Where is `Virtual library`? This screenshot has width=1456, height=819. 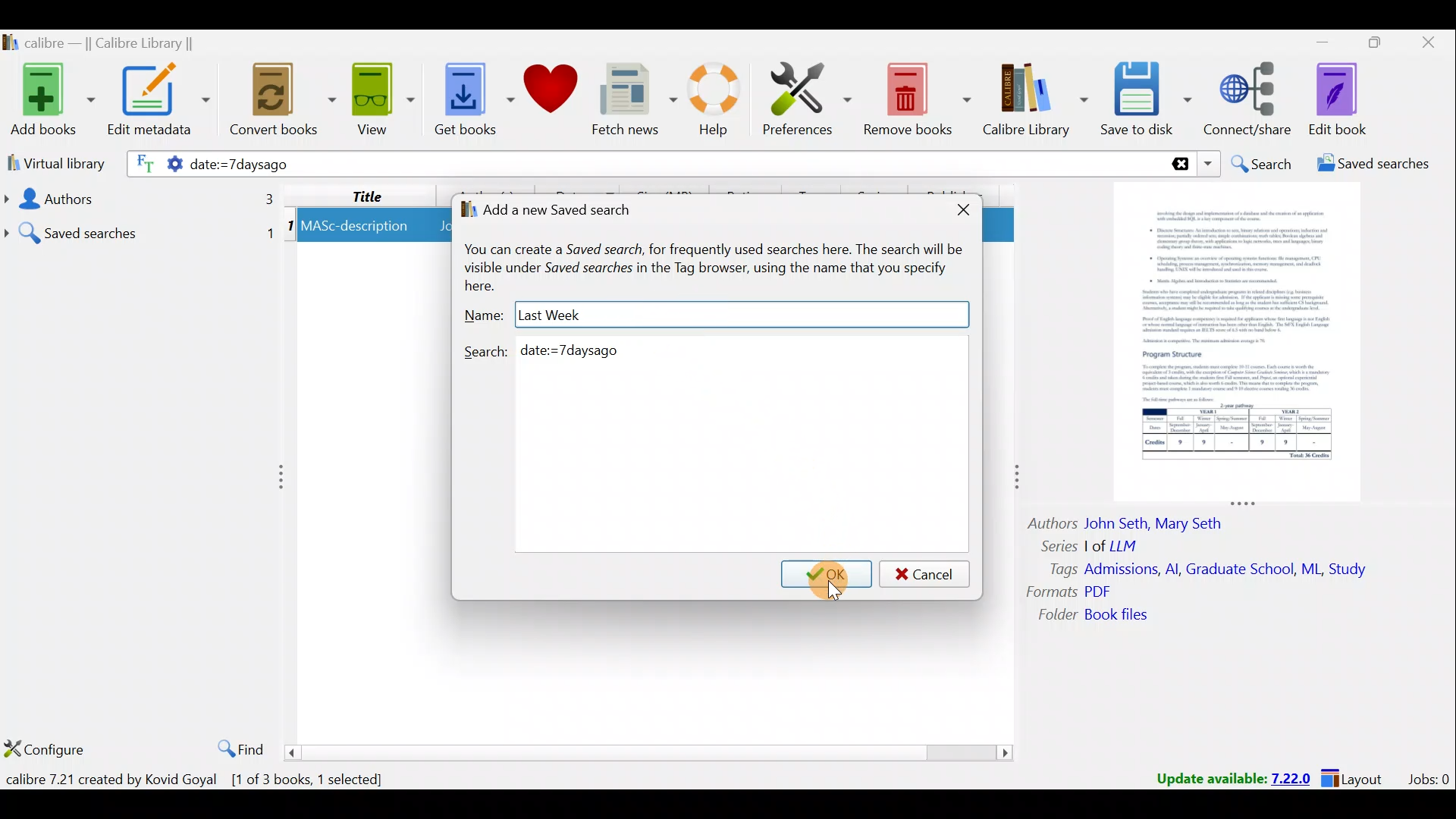 Virtual library is located at coordinates (52, 162).